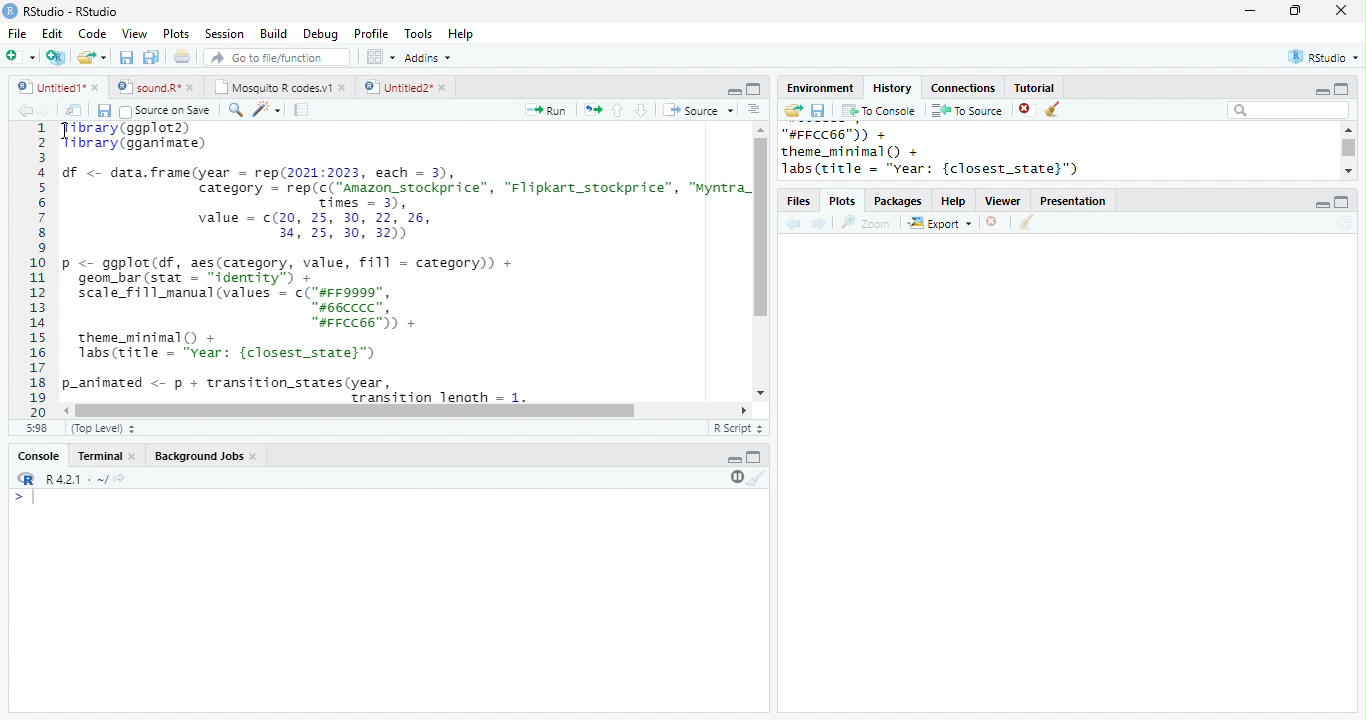 This screenshot has height=720, width=1366. I want to click on Help, so click(953, 201).